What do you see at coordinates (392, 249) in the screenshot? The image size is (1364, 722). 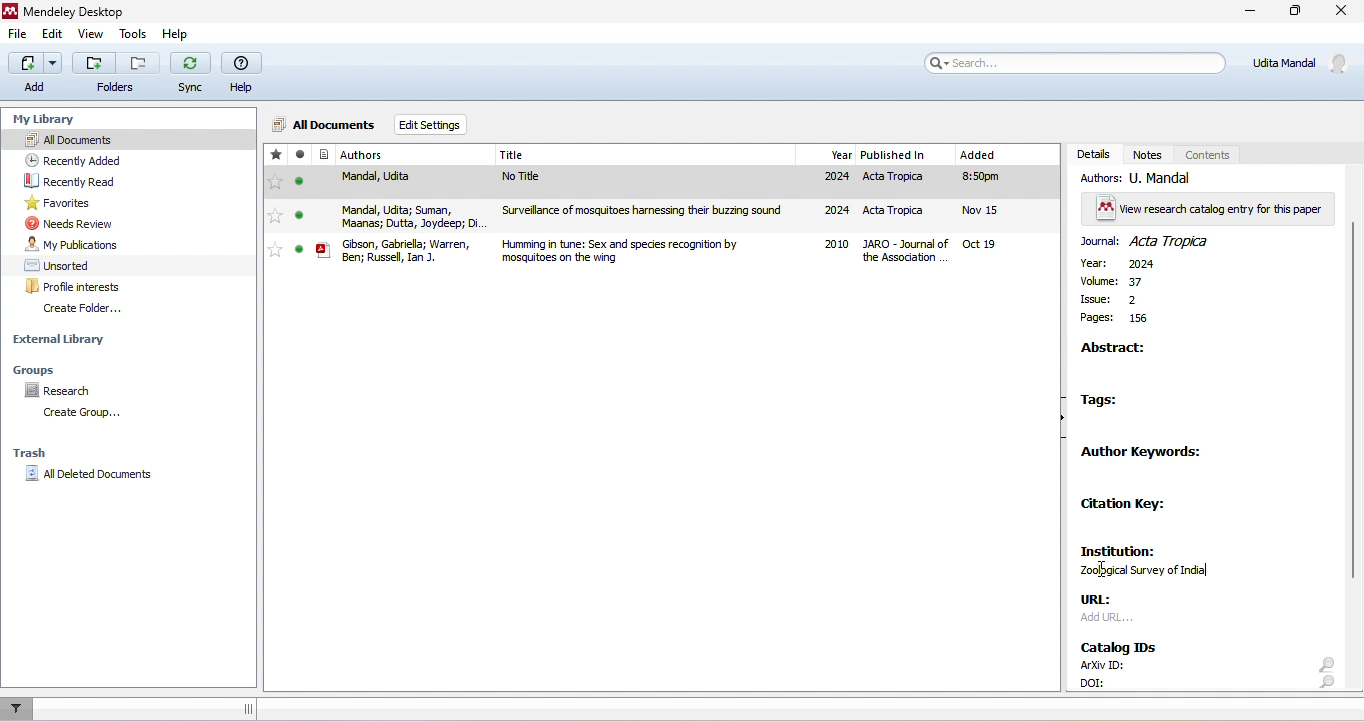 I see `gbson,gabriela, warren,ben,russel,jan` at bounding box center [392, 249].